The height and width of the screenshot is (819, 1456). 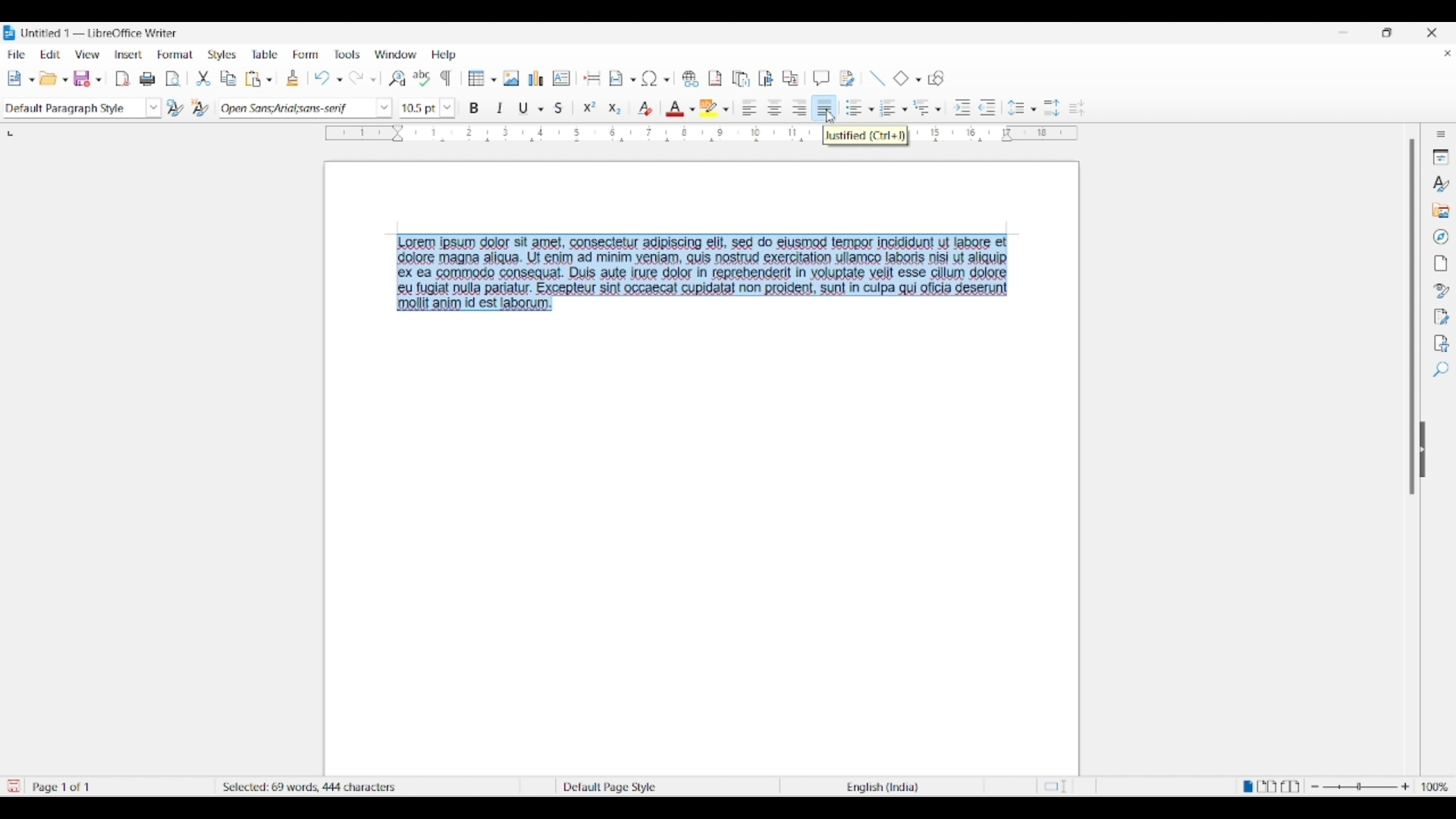 I want to click on Spell check, so click(x=422, y=78).